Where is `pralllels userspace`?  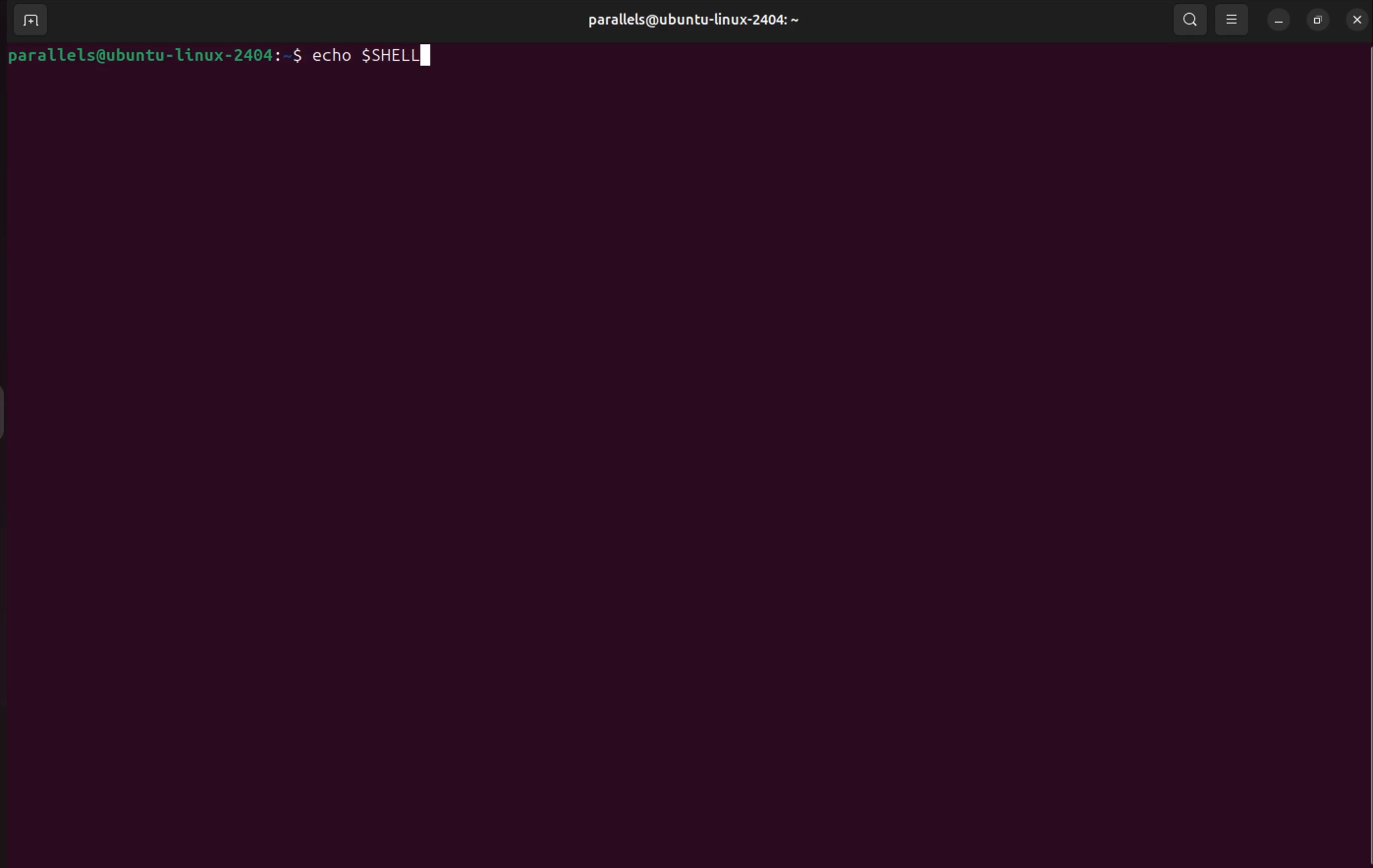 pralllels userspace is located at coordinates (687, 22).